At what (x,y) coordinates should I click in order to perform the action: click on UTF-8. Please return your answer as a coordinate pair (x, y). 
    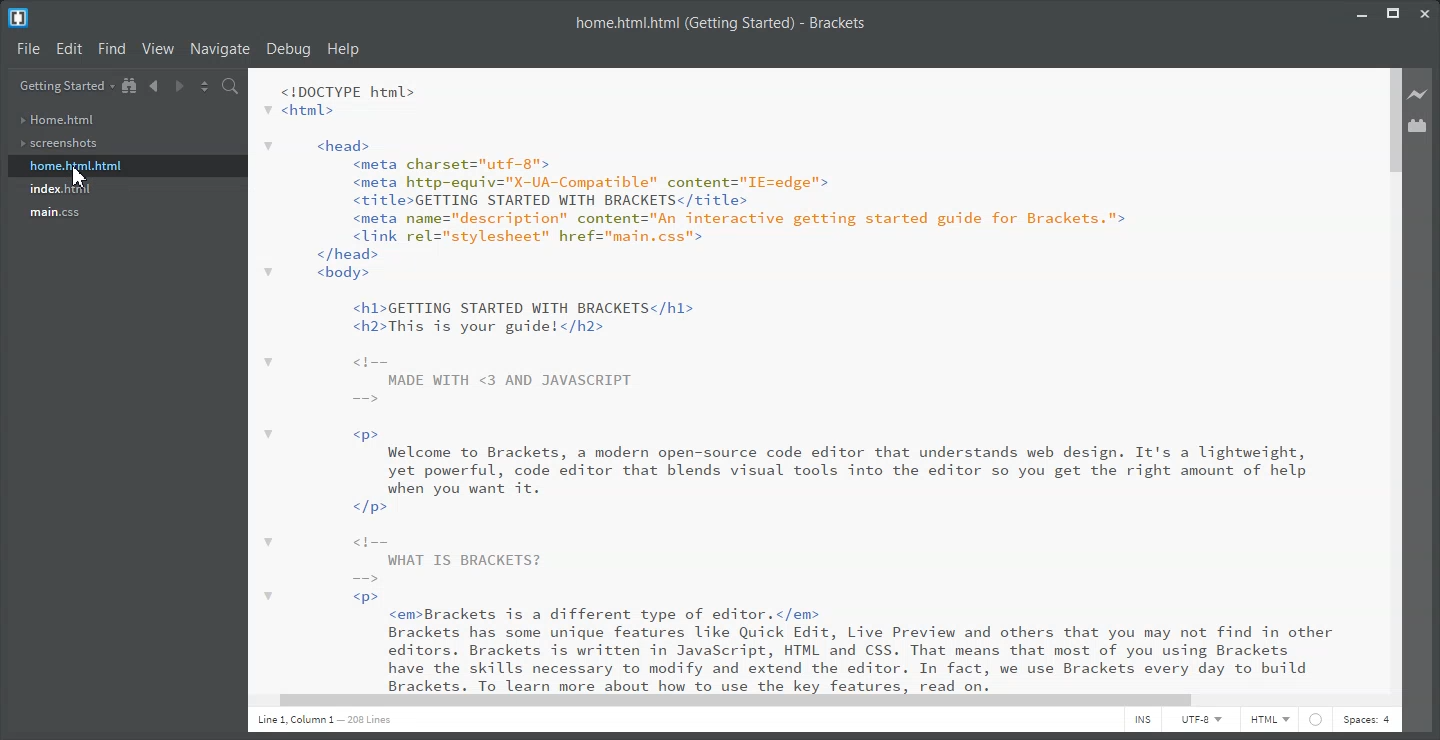
    Looking at the image, I should click on (1202, 722).